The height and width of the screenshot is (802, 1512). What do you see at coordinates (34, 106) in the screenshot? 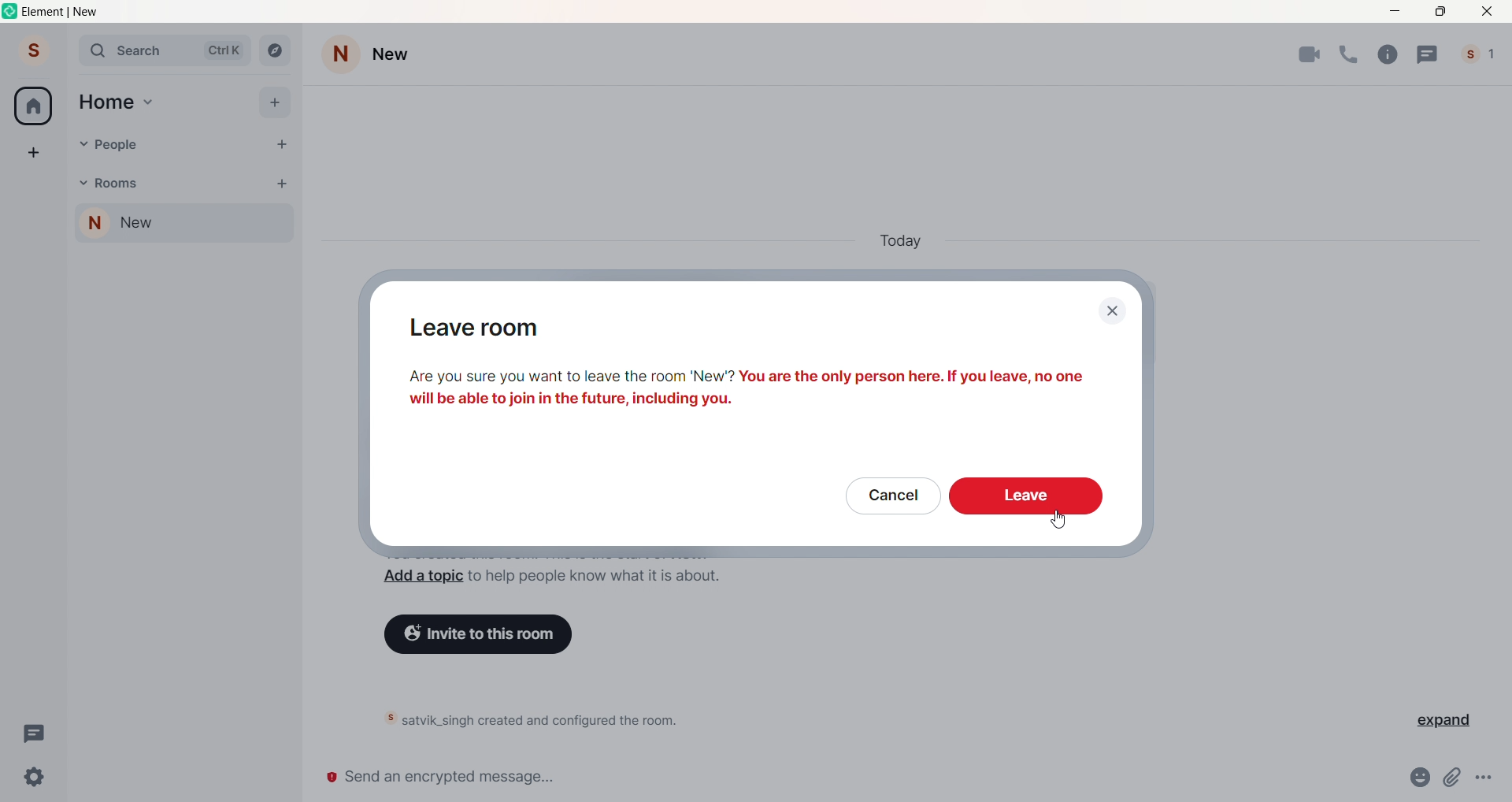
I see `Home` at bounding box center [34, 106].